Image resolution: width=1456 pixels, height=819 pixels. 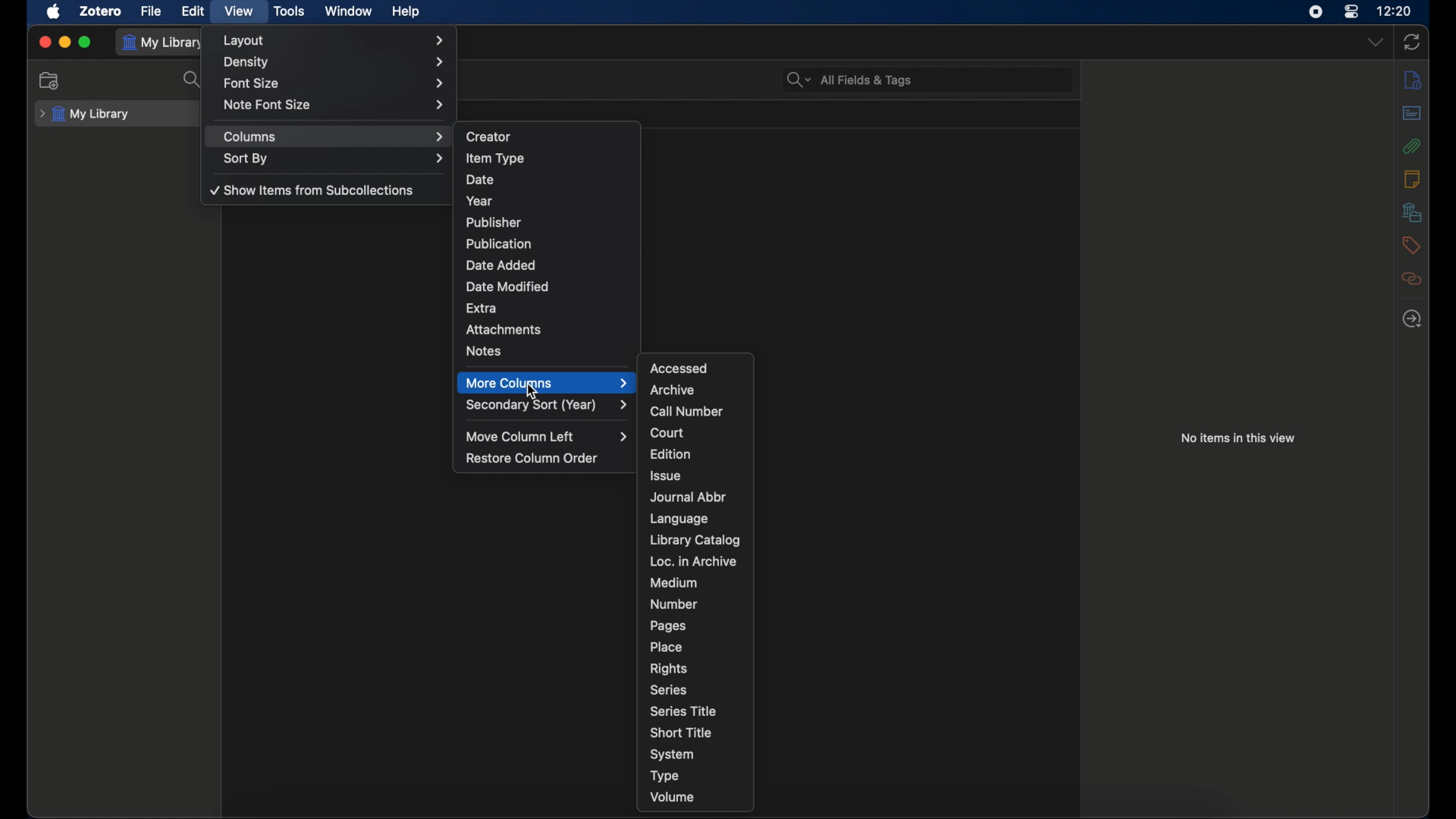 What do you see at coordinates (1411, 114) in the screenshot?
I see `abstract` at bounding box center [1411, 114].